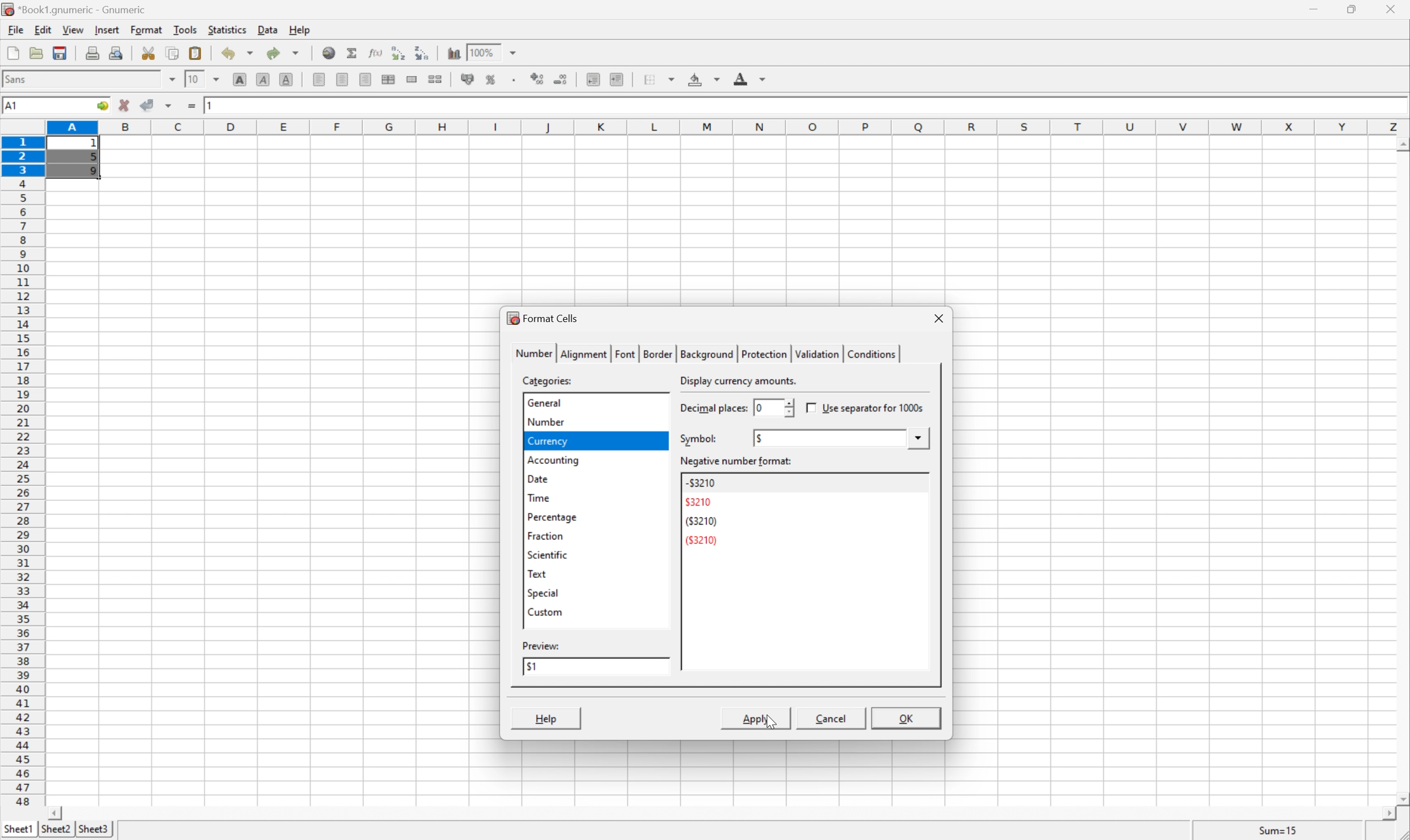  I want to click on accounting, so click(554, 460).